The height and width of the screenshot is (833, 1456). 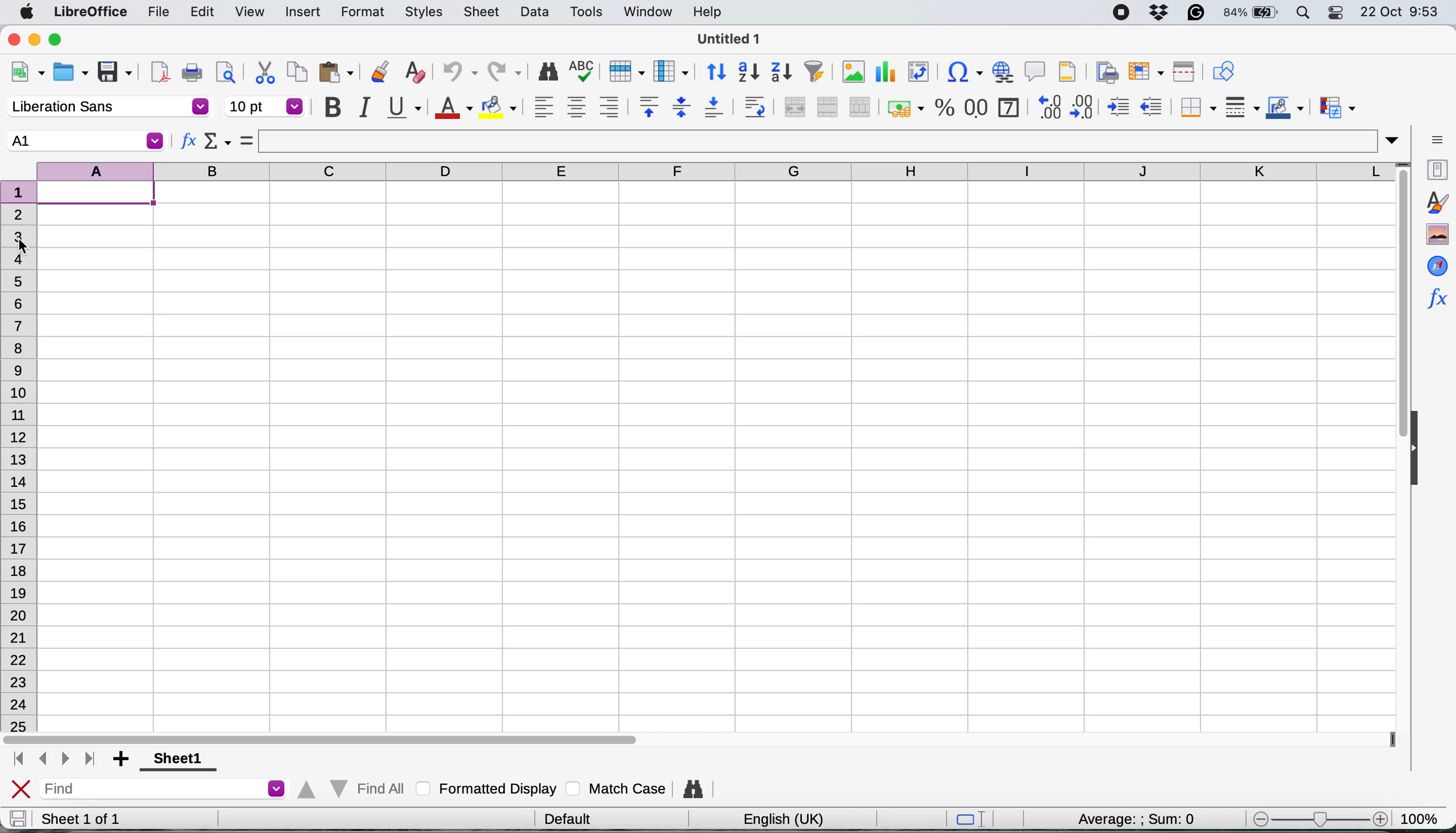 What do you see at coordinates (853, 72) in the screenshot?
I see `insert image` at bounding box center [853, 72].